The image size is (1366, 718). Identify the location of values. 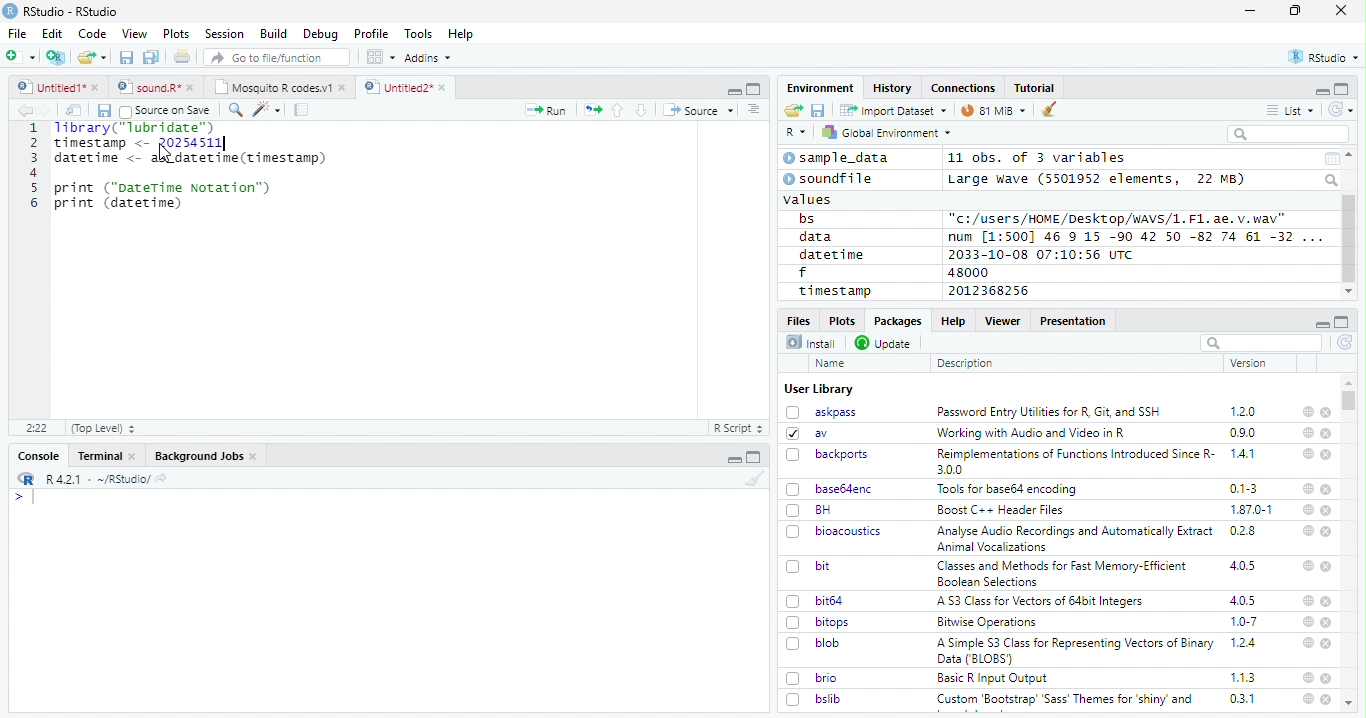
(809, 198).